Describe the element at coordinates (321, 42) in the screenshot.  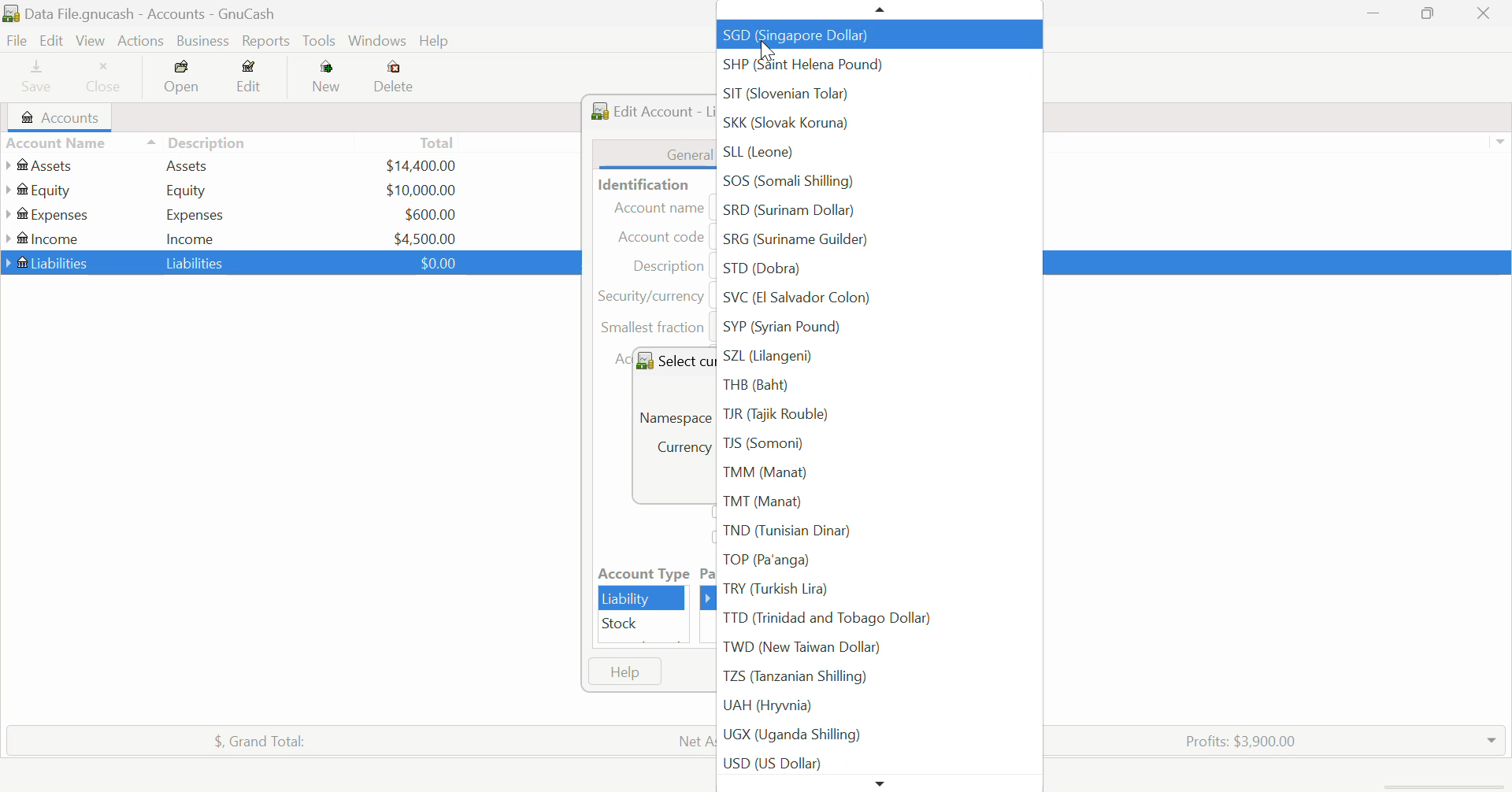
I see `Tools` at that location.